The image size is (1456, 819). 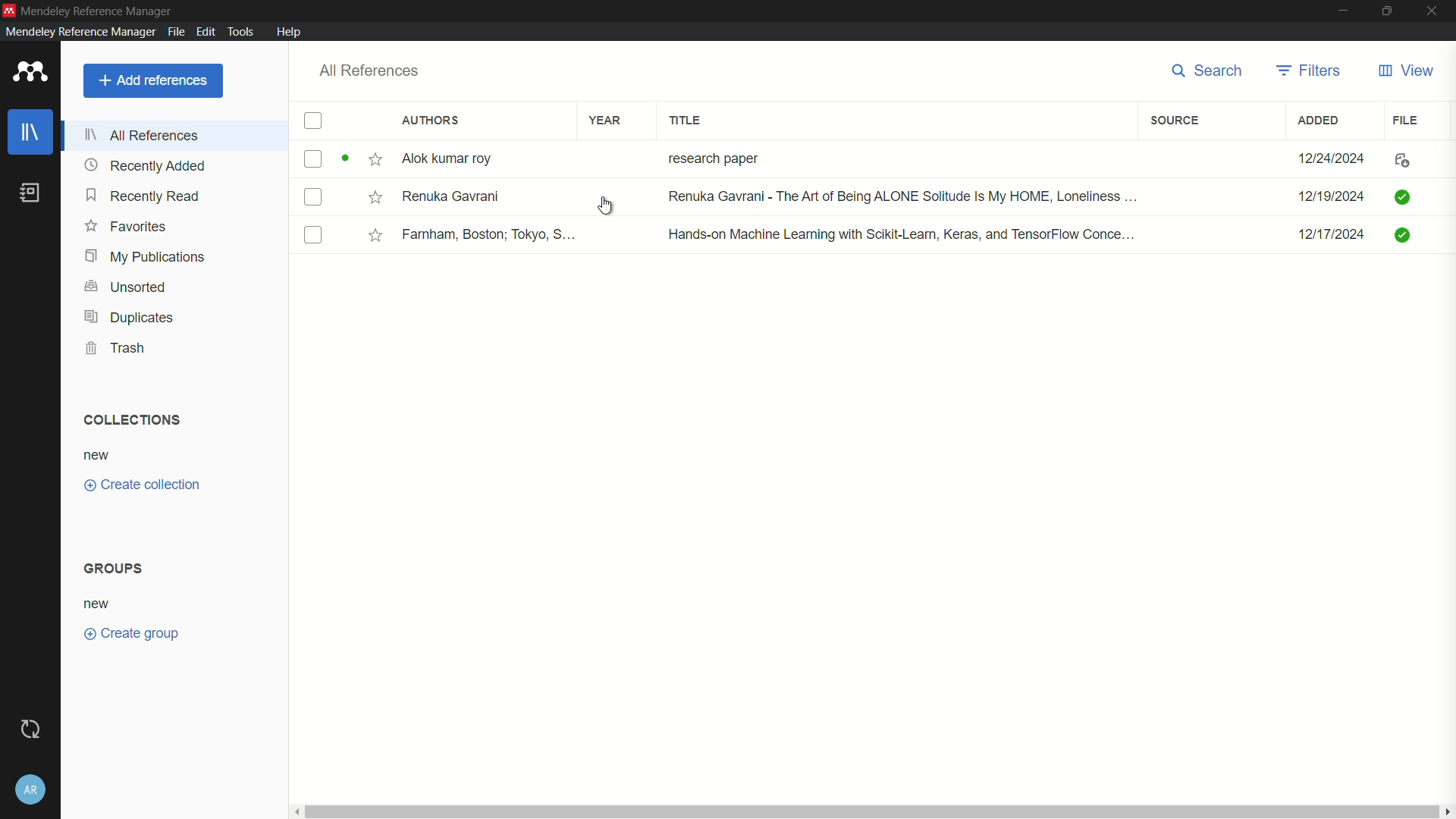 I want to click on unsorted, so click(x=128, y=287).